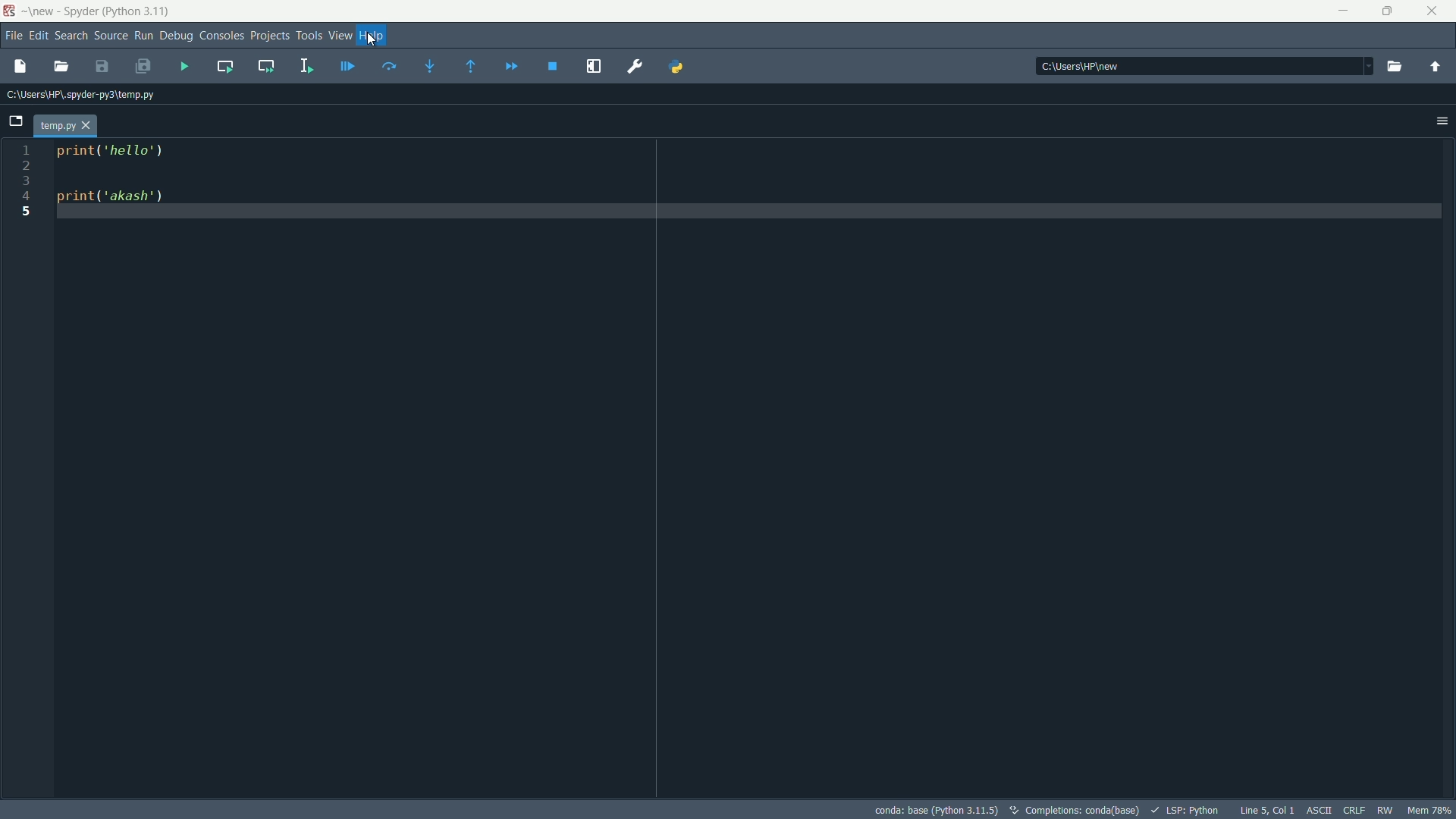 The height and width of the screenshot is (819, 1456). What do you see at coordinates (82, 11) in the screenshot?
I see `app name ` at bounding box center [82, 11].